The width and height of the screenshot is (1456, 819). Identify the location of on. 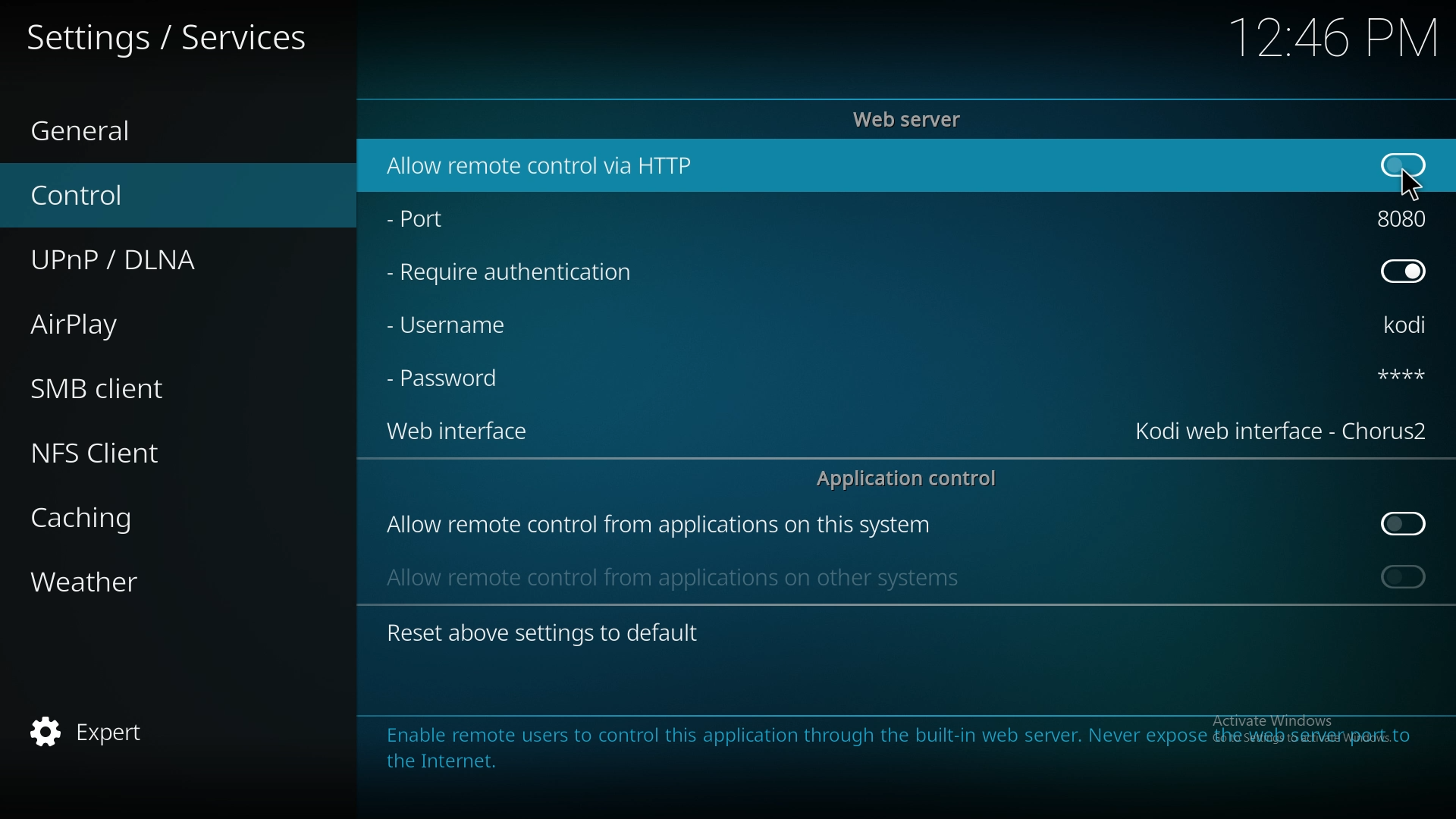
(1404, 163).